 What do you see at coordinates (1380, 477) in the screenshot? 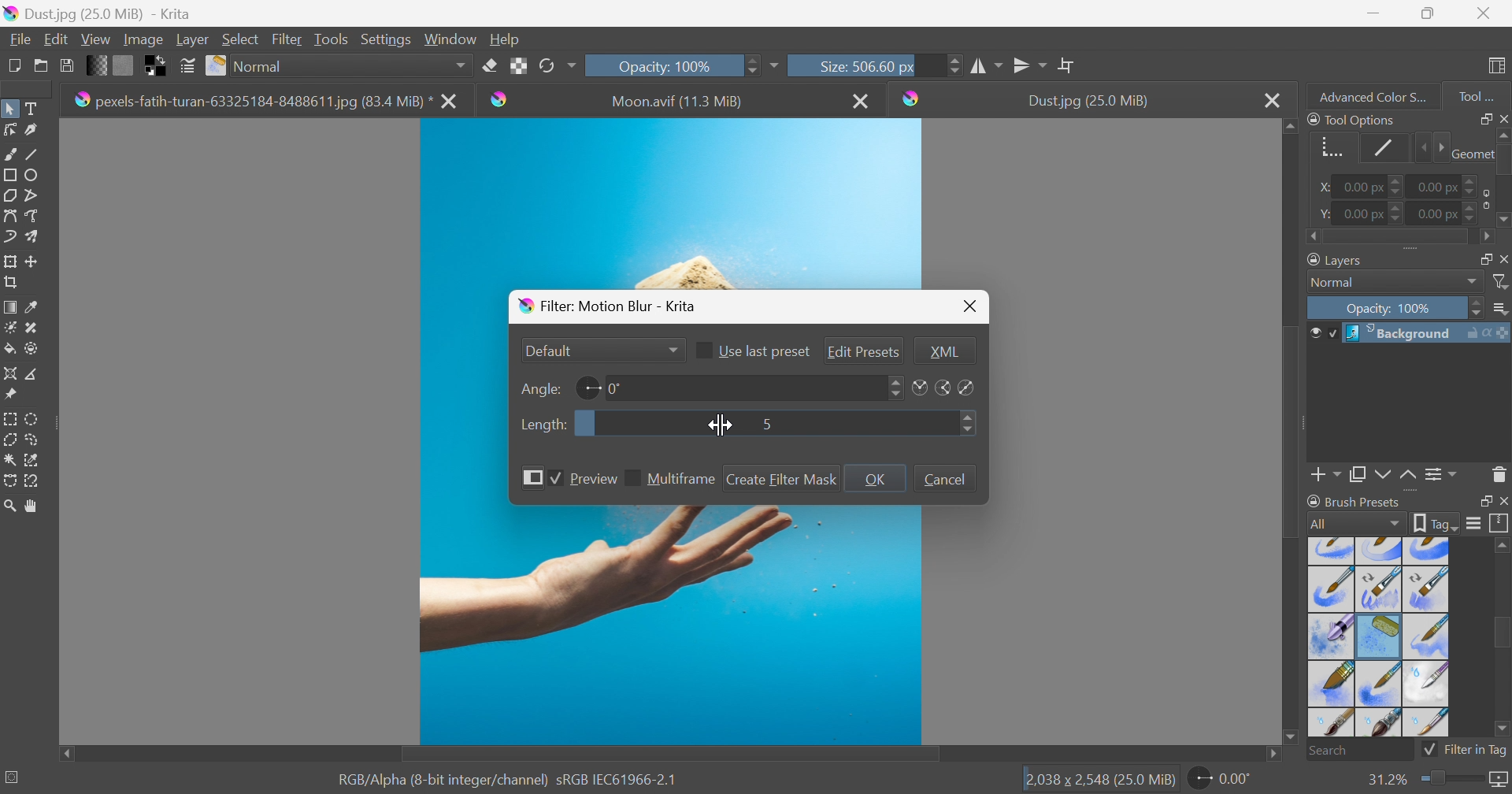
I see `Duplicate layer or mask` at bounding box center [1380, 477].